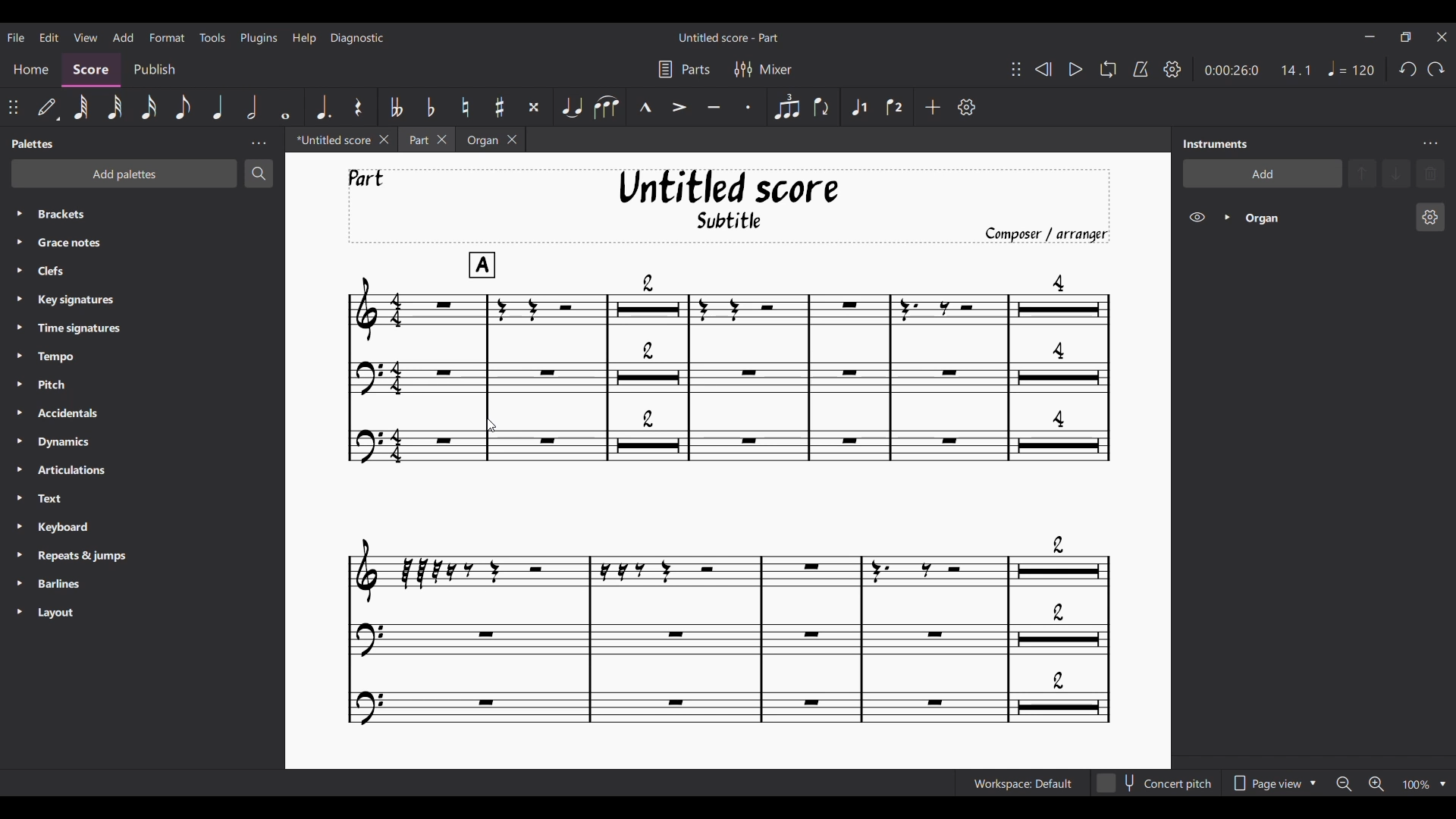  Describe the element at coordinates (1407, 69) in the screenshot. I see `Undo` at that location.